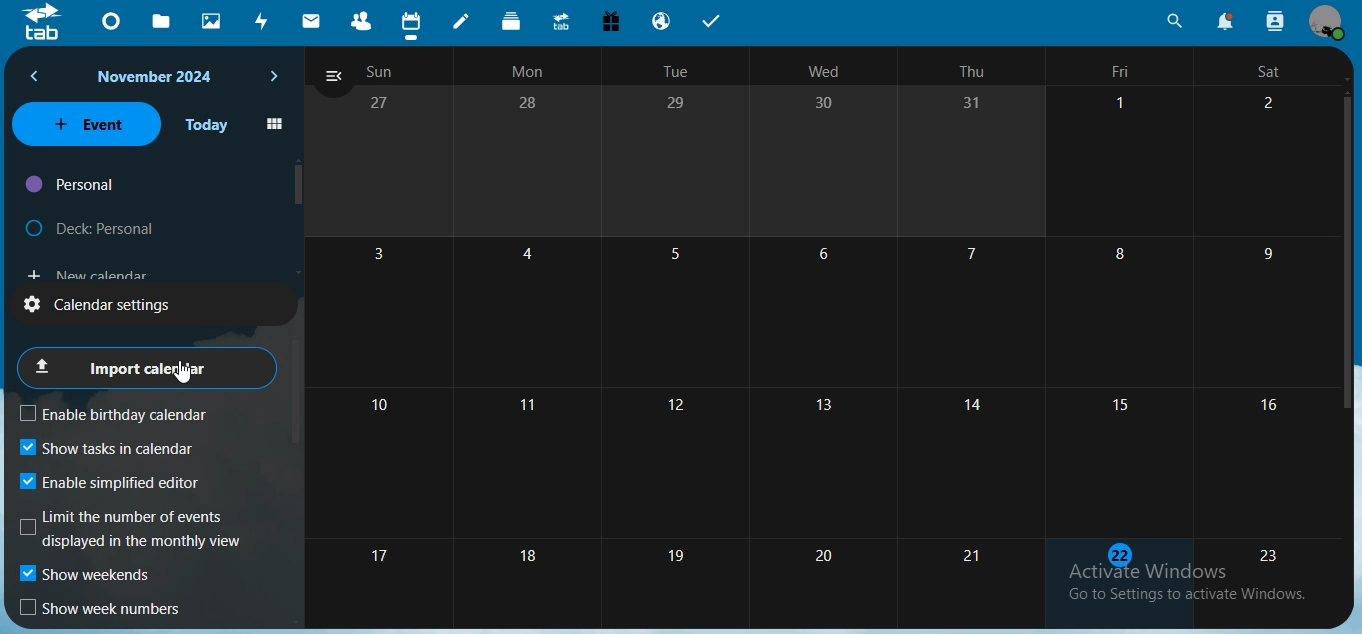 This screenshot has height=634, width=1362. I want to click on scrollbar, so click(1348, 250).